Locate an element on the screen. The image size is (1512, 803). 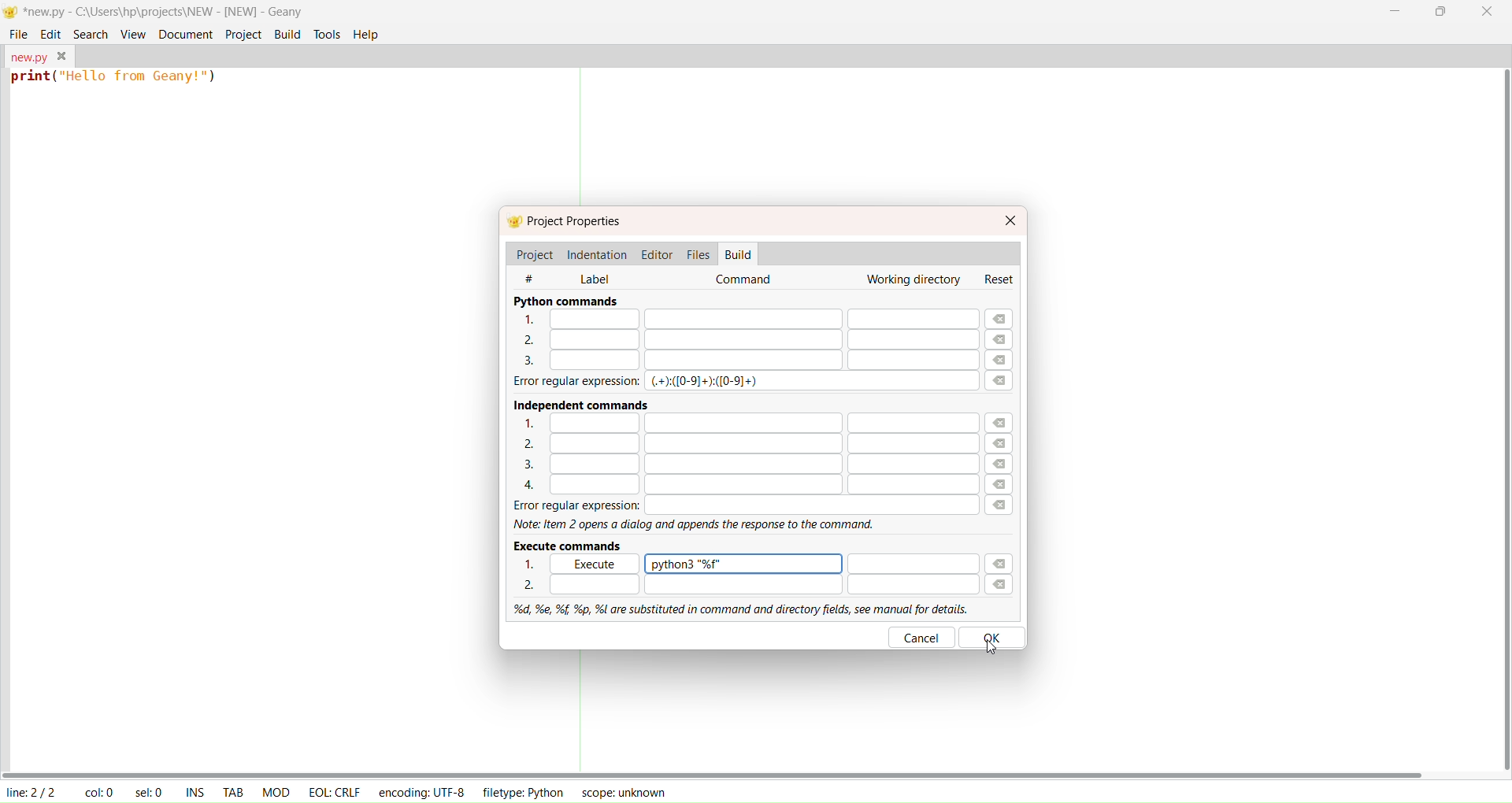
close is located at coordinates (1488, 13).